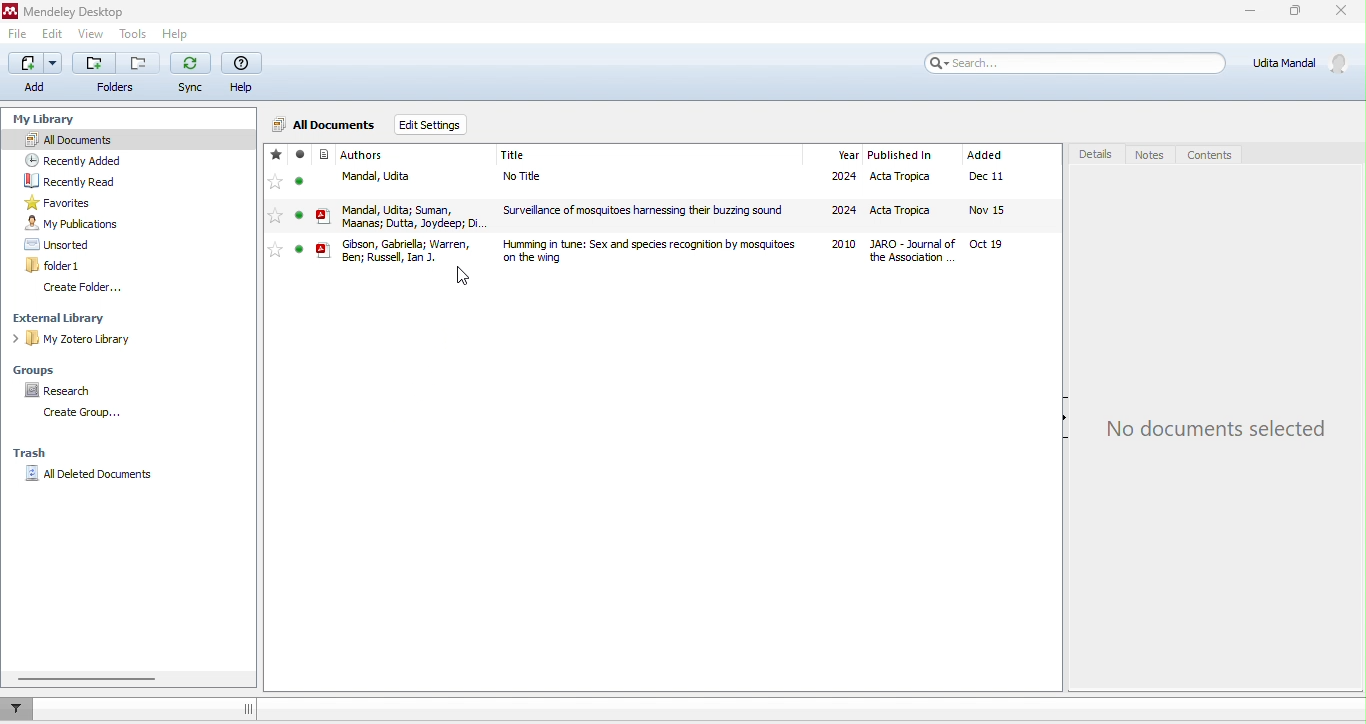 The image size is (1366, 724). Describe the element at coordinates (700, 250) in the screenshot. I see `file` at that location.